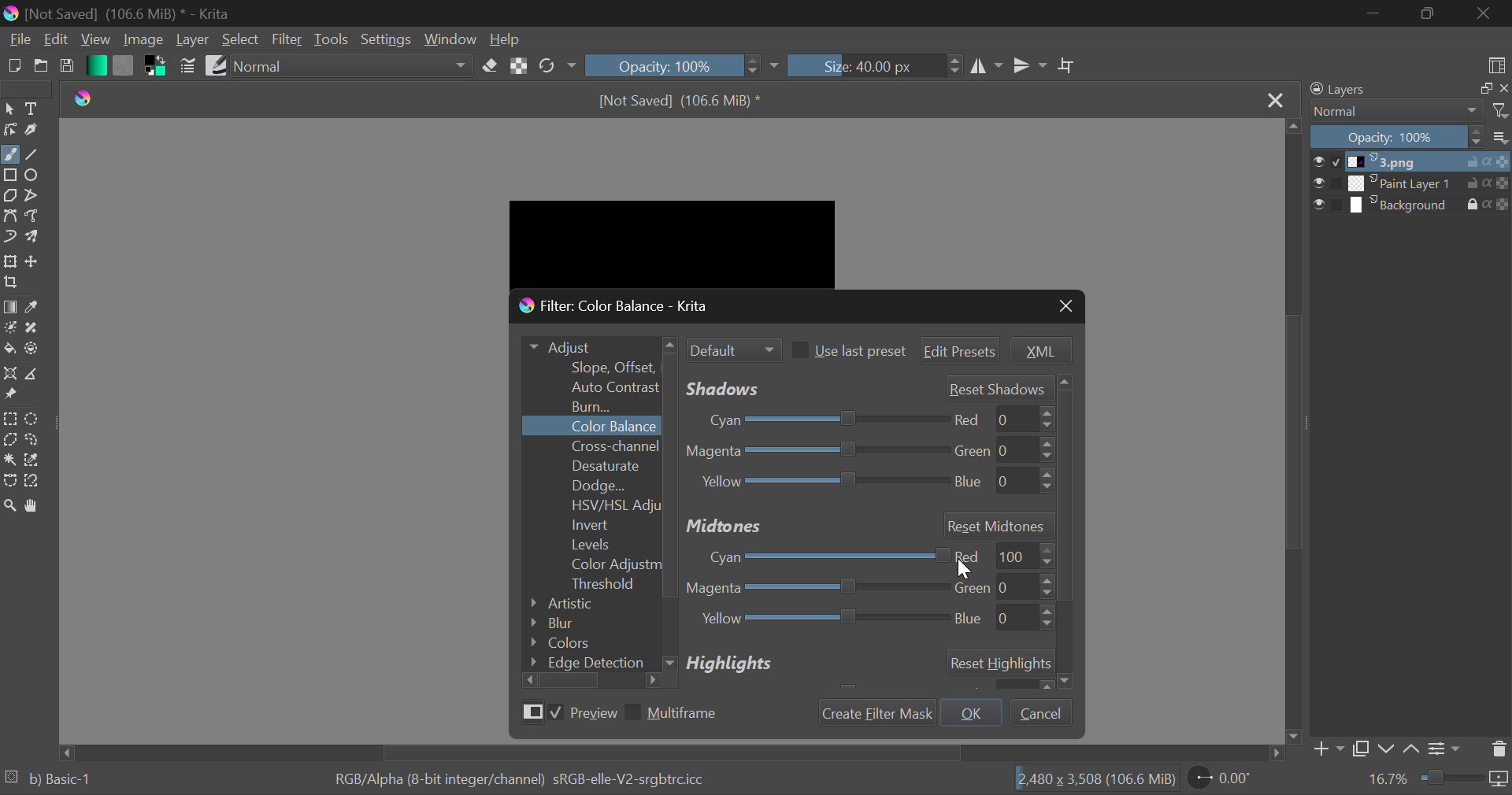 The height and width of the screenshot is (795, 1512). I want to click on Tools, so click(332, 41).